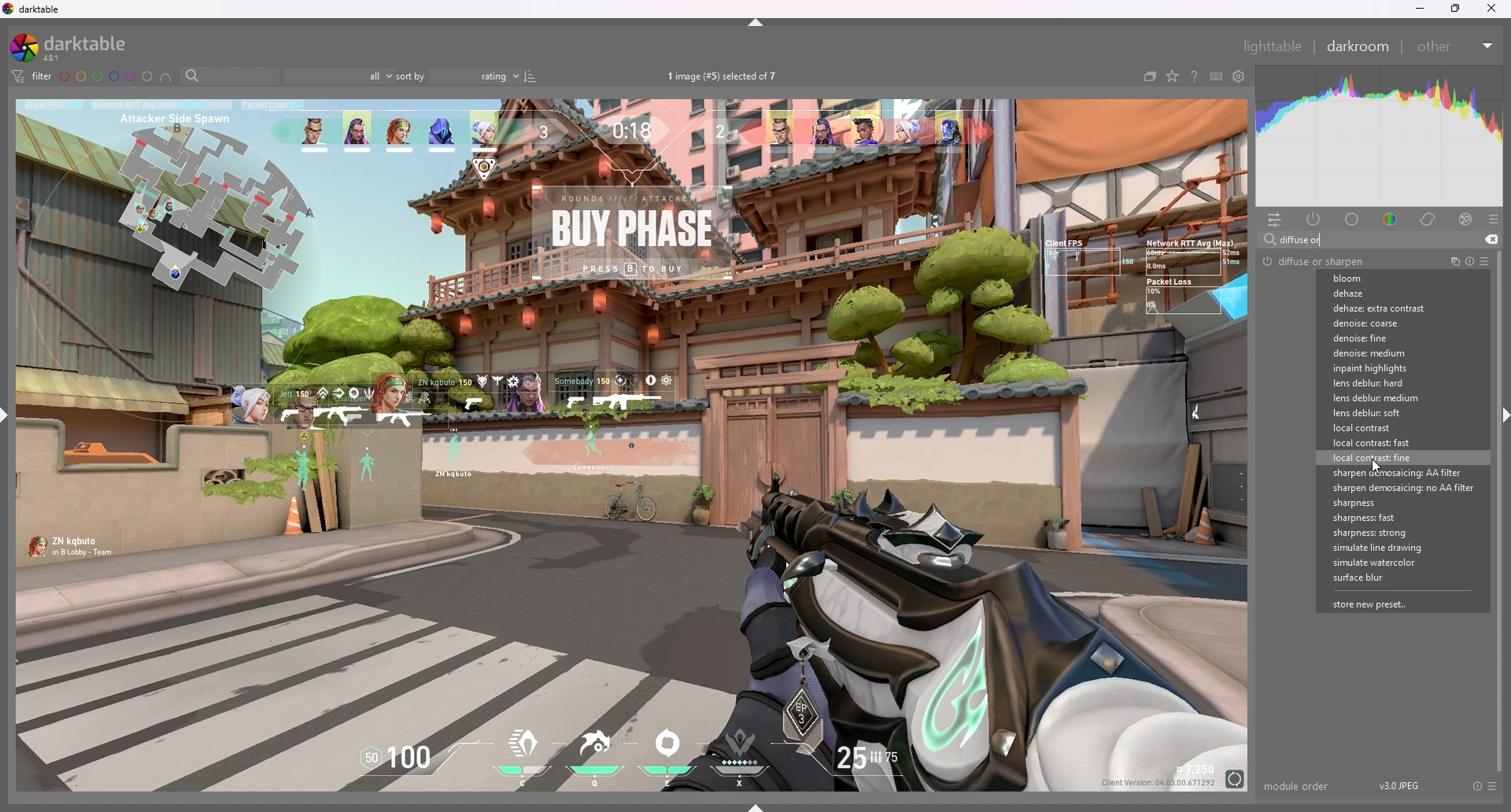 This screenshot has width=1511, height=812. What do you see at coordinates (726, 76) in the screenshot?
I see `images selected` at bounding box center [726, 76].